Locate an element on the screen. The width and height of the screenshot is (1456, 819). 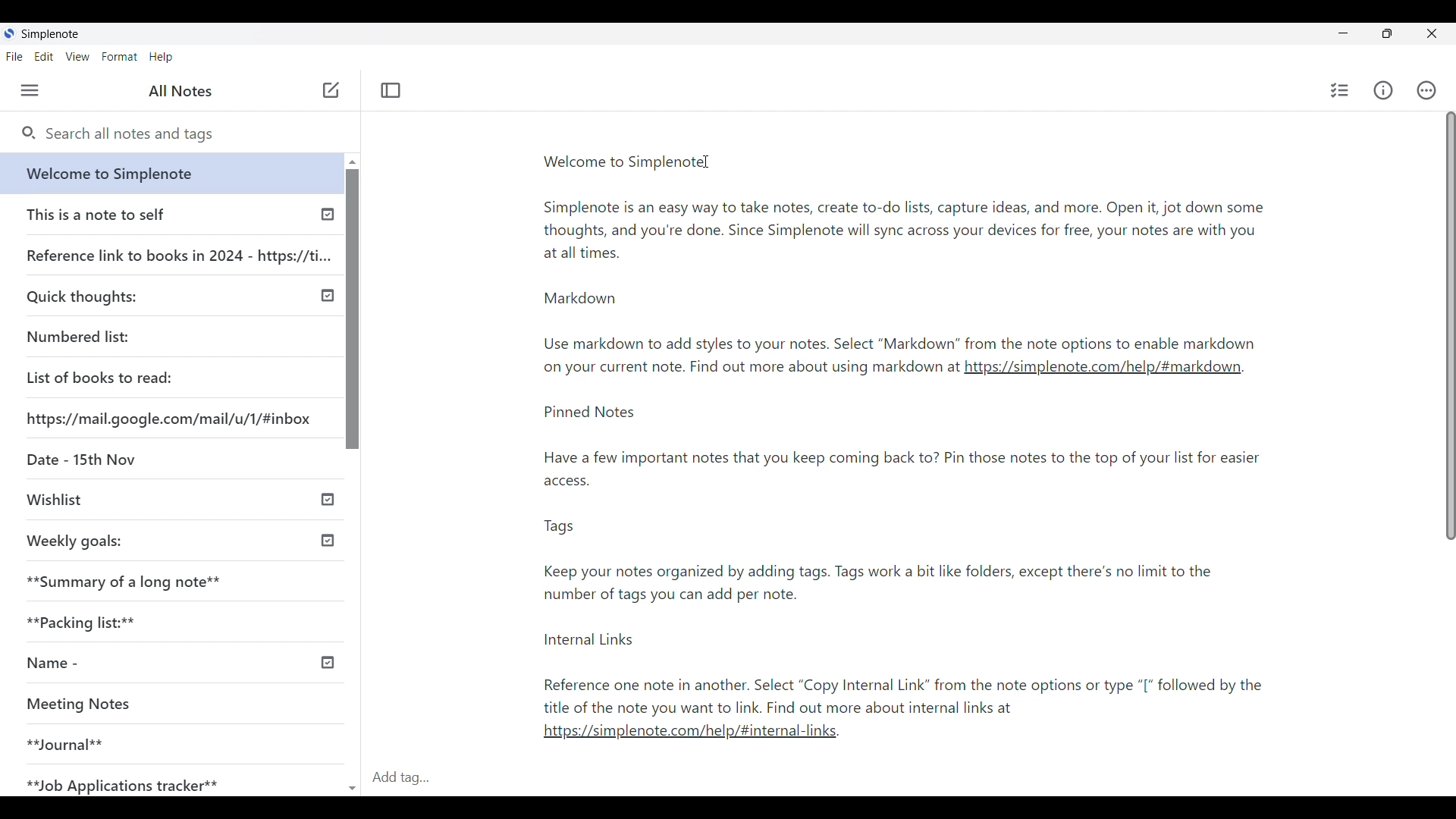
Browser link is located at coordinates (168, 419).